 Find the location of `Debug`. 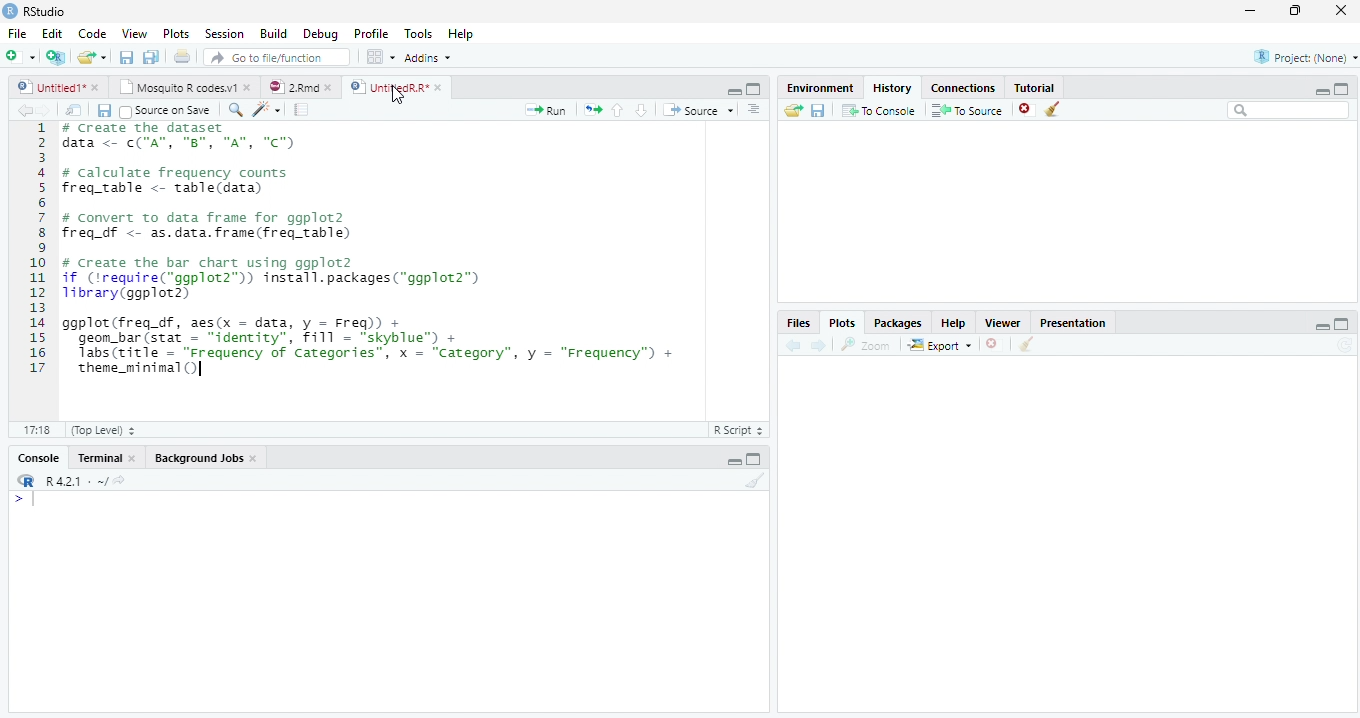

Debug is located at coordinates (321, 33).